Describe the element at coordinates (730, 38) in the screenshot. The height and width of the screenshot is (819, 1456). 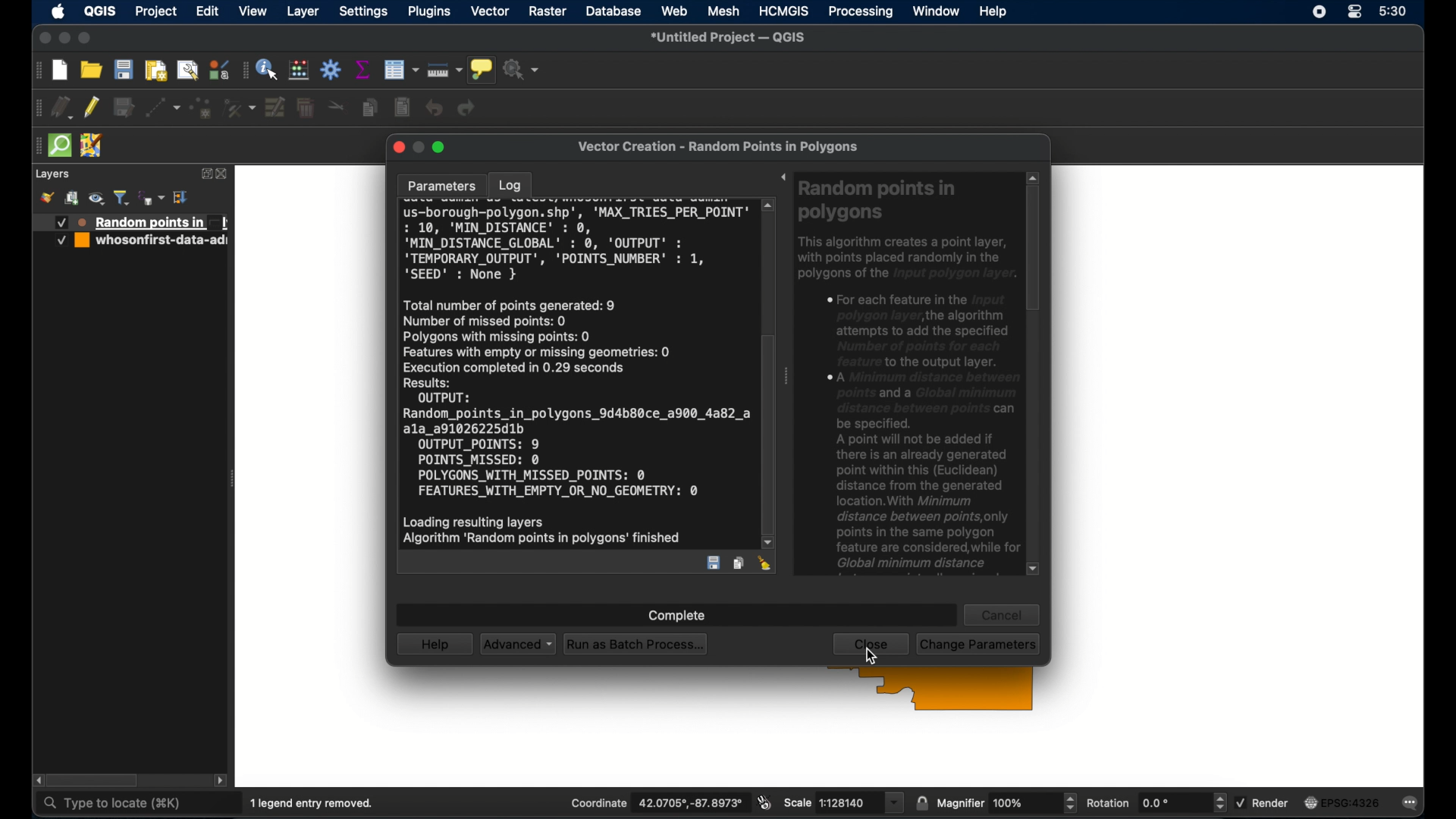
I see `untitled project` at that location.